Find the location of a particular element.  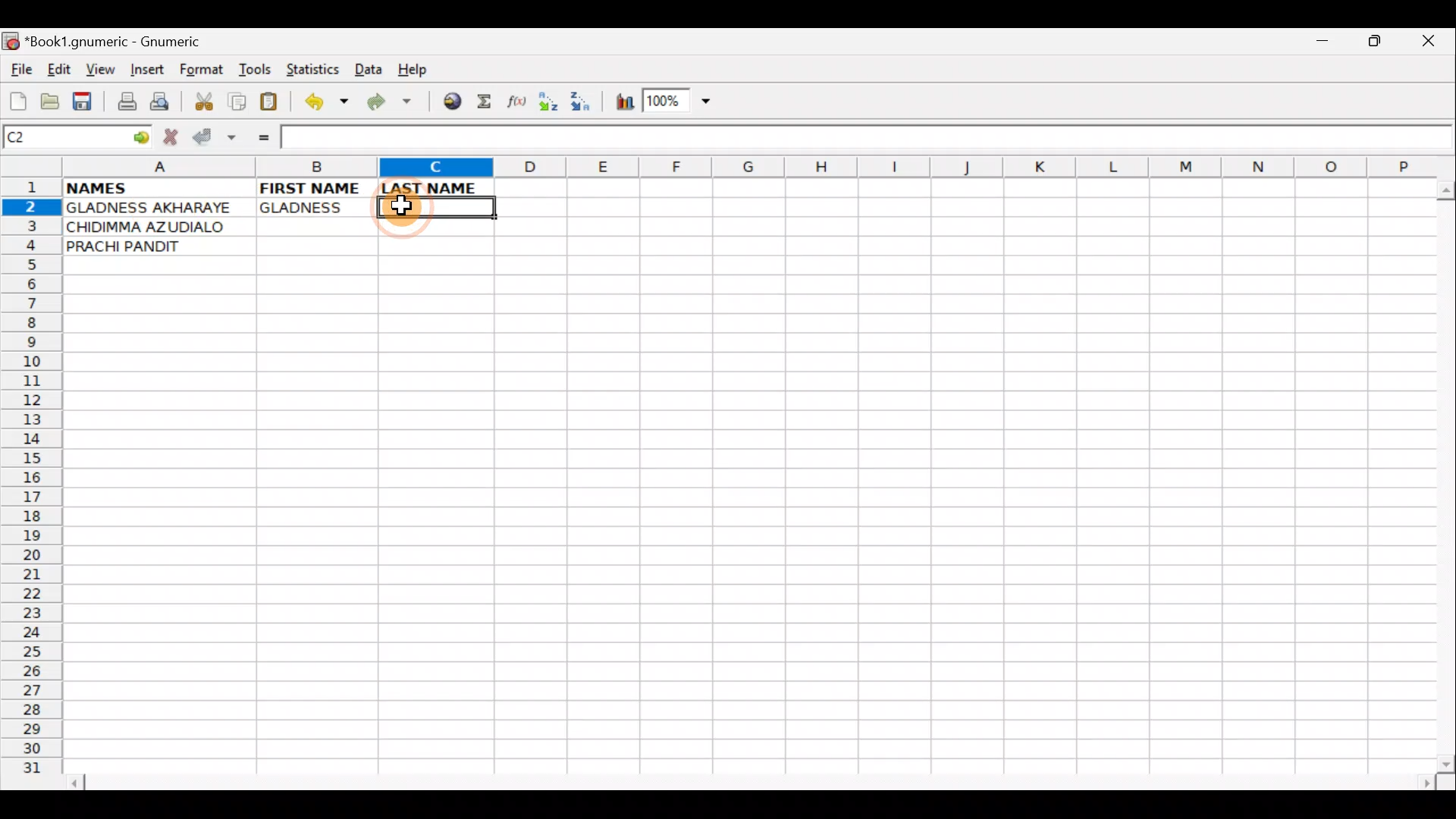

Columns is located at coordinates (747, 166).